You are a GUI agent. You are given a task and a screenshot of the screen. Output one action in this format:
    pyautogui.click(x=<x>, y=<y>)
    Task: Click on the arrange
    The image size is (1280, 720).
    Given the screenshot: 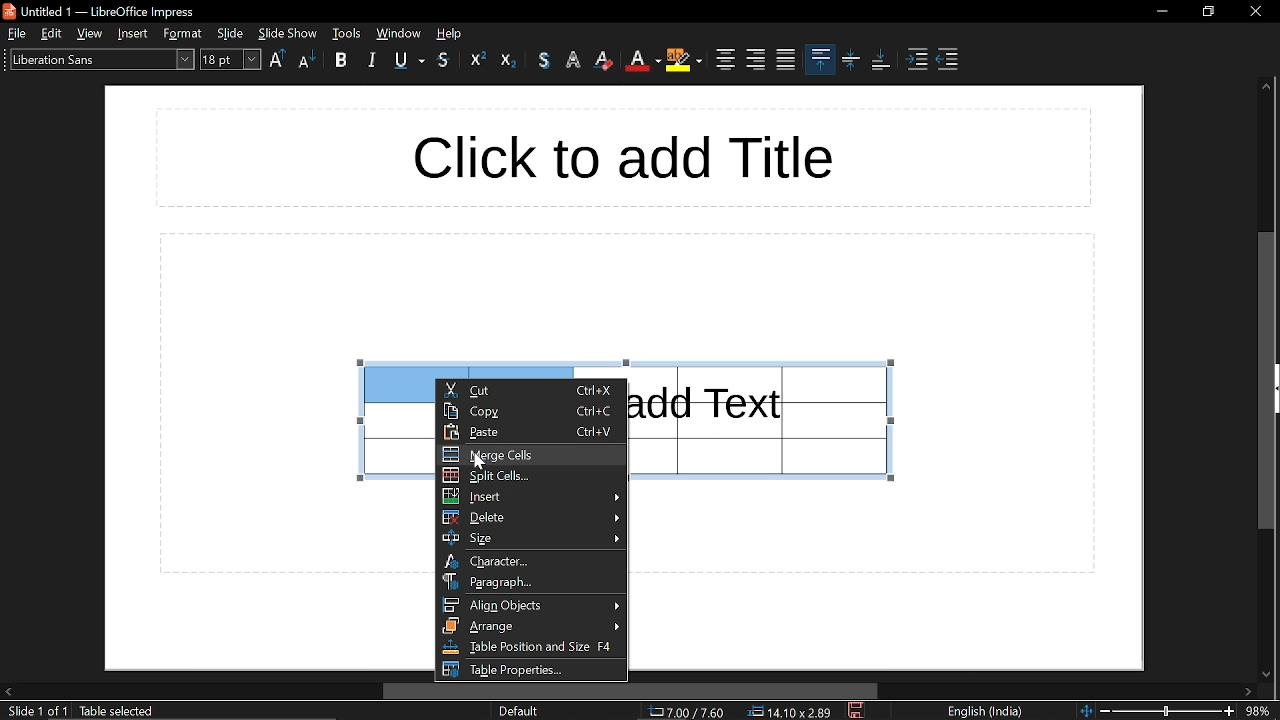 What is the action you would take?
    pyautogui.click(x=532, y=627)
    